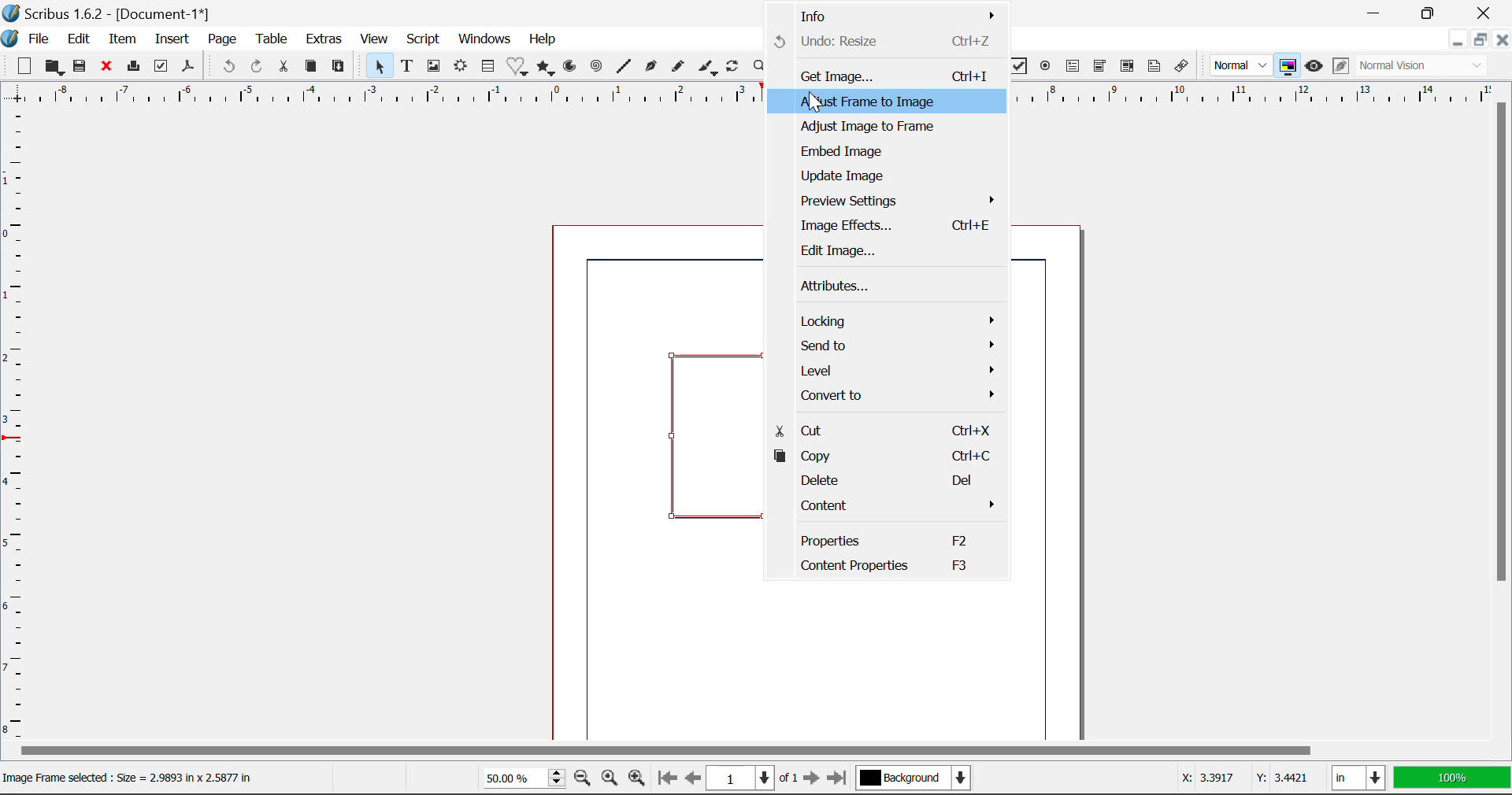 This screenshot has height=795, width=1512. I want to click on Refresh, so click(736, 68).